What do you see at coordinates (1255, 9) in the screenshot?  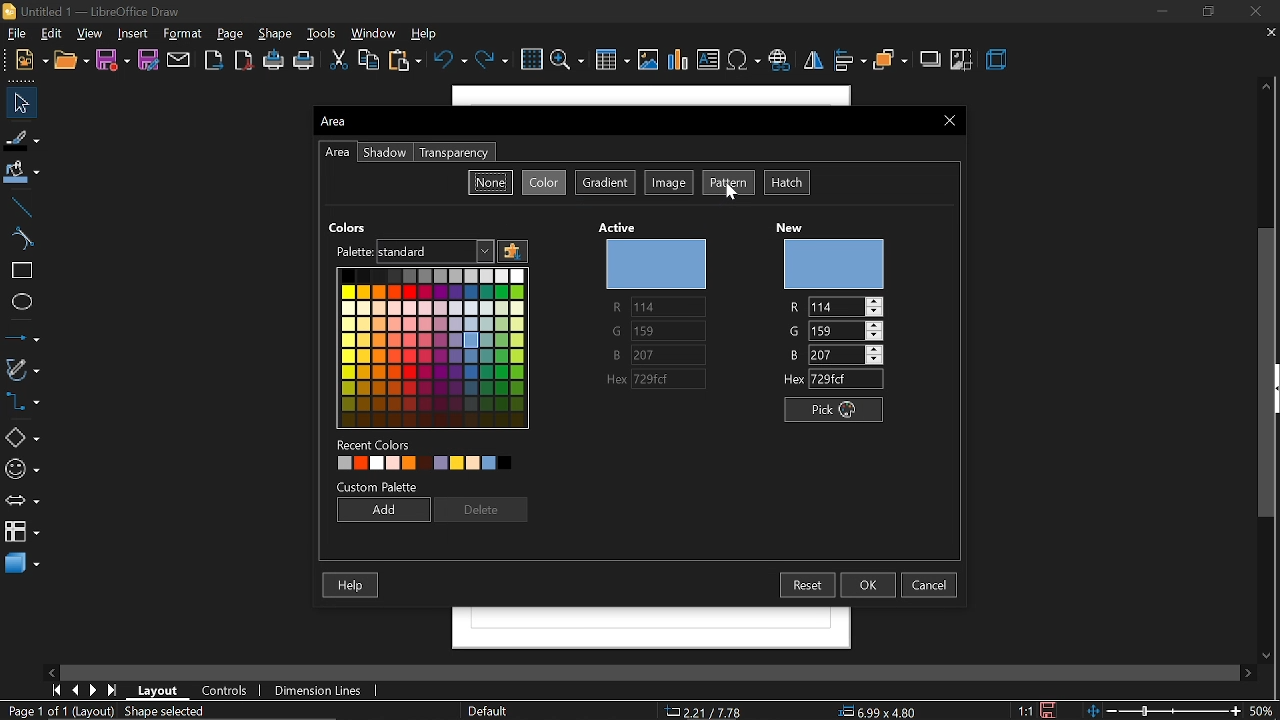 I see `Close` at bounding box center [1255, 9].